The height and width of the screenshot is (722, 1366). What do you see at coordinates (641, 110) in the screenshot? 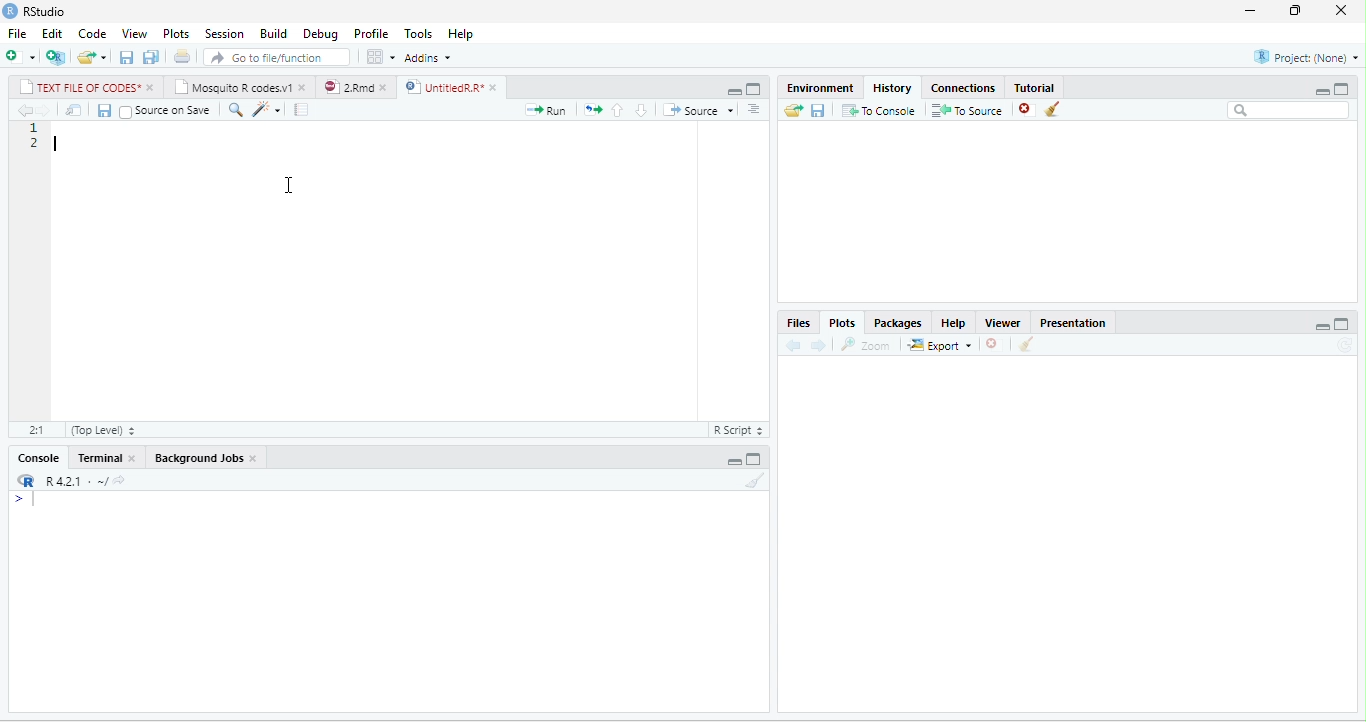
I see `down` at bounding box center [641, 110].